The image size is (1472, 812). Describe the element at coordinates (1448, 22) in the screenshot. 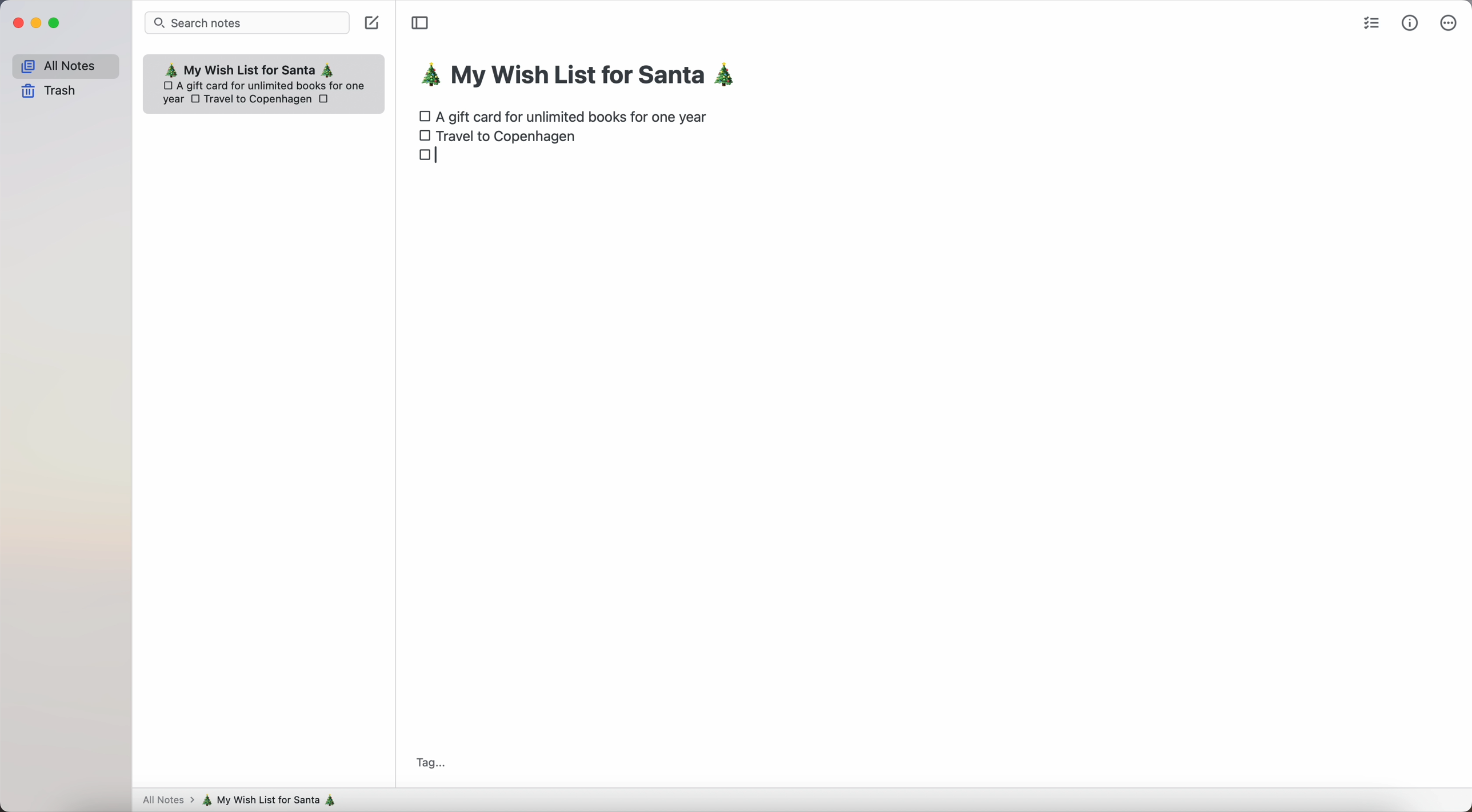

I see `more options` at that location.